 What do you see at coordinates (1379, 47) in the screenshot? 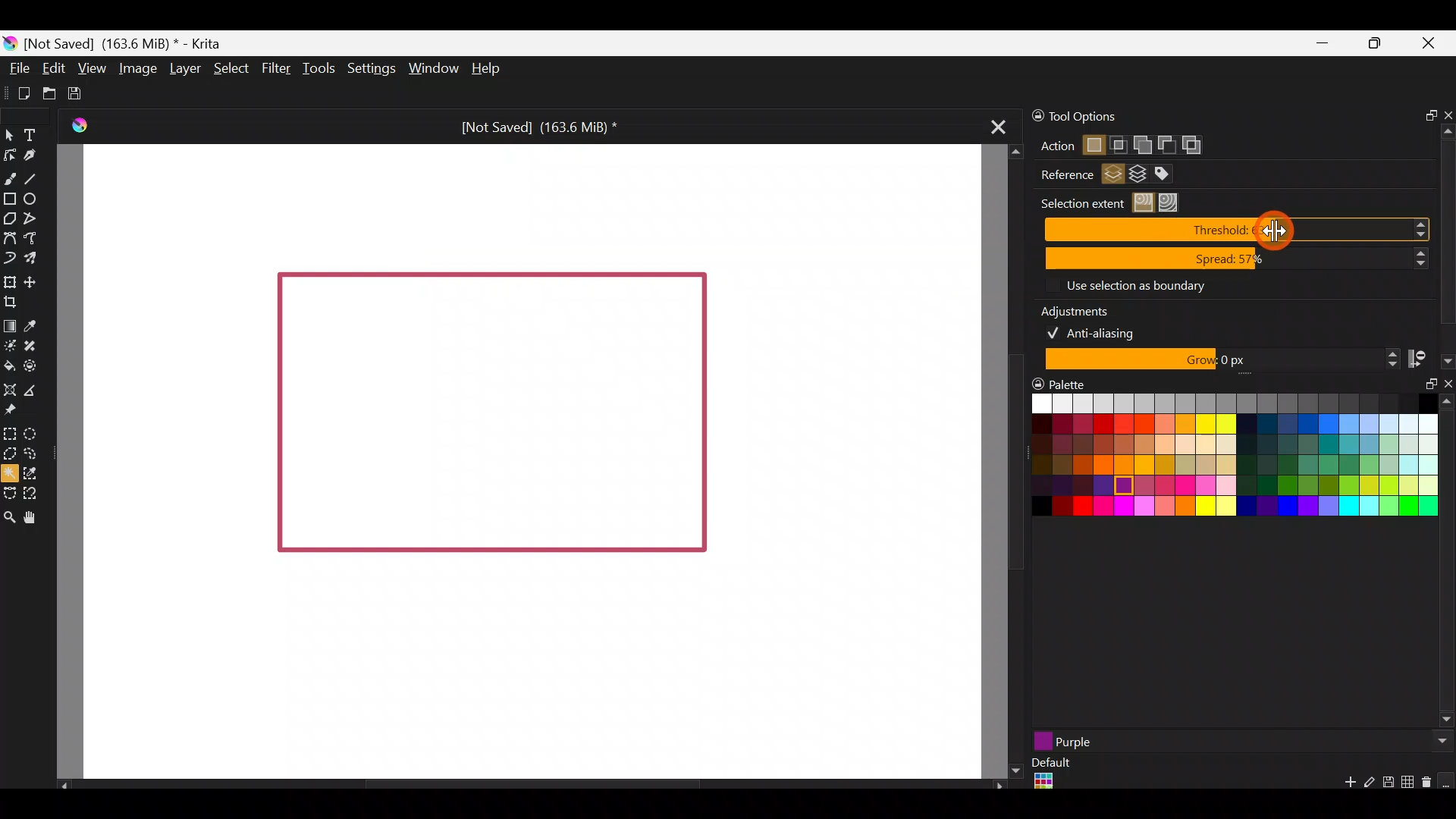
I see `Maximize` at bounding box center [1379, 47].